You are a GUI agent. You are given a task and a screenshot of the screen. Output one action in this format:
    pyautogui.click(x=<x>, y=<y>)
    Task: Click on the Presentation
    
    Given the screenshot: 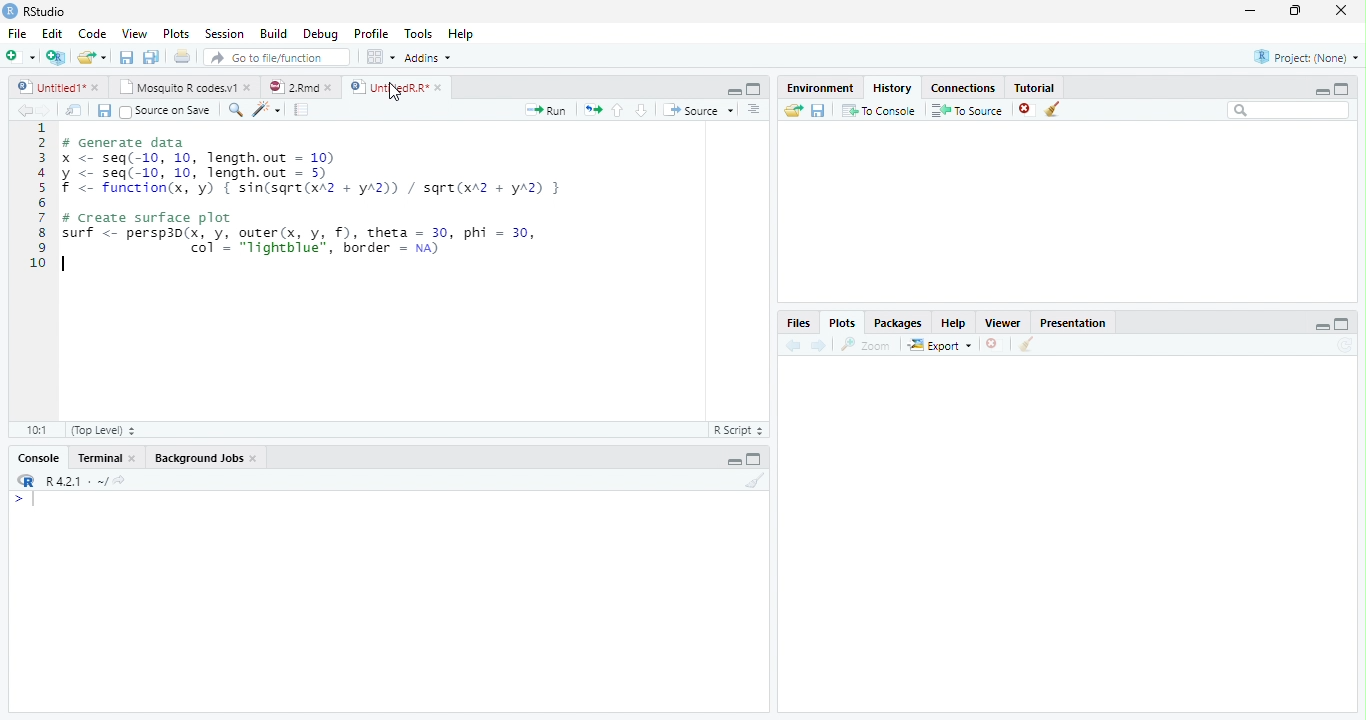 What is the action you would take?
    pyautogui.click(x=1073, y=322)
    